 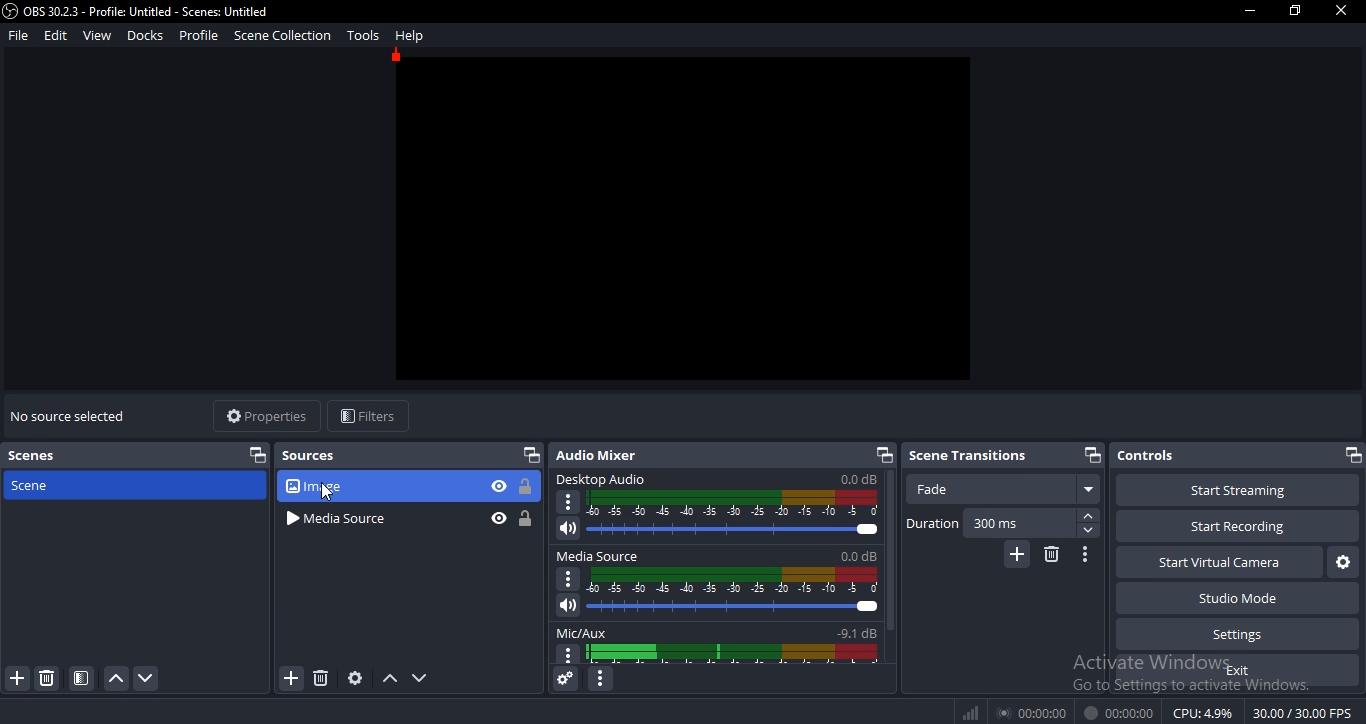 I want to click on configure audio mixer, so click(x=603, y=680).